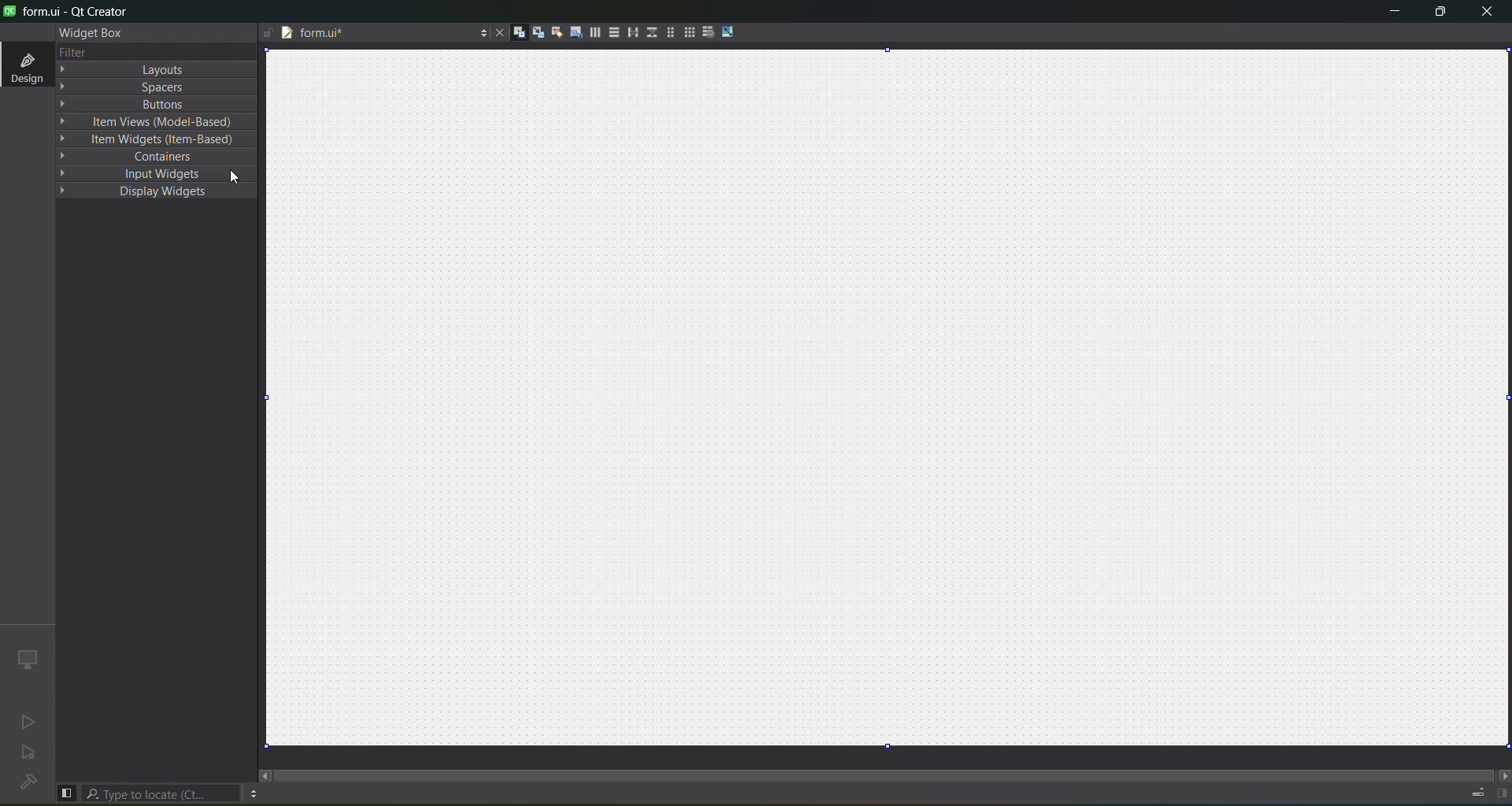 The height and width of the screenshot is (806, 1512). What do you see at coordinates (672, 33) in the screenshot?
I see `layout in a form` at bounding box center [672, 33].